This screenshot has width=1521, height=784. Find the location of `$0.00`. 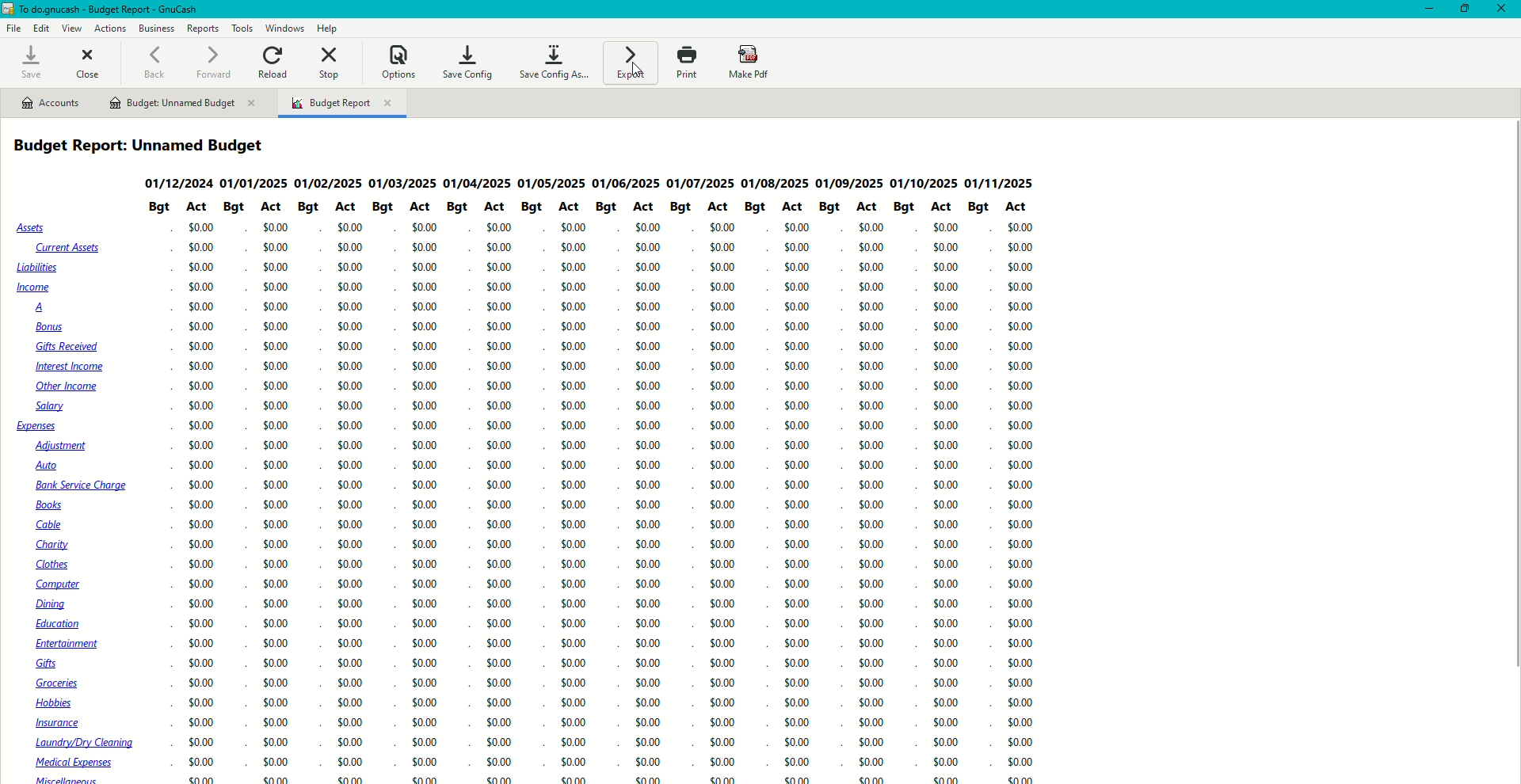

$0.00 is located at coordinates (649, 249).